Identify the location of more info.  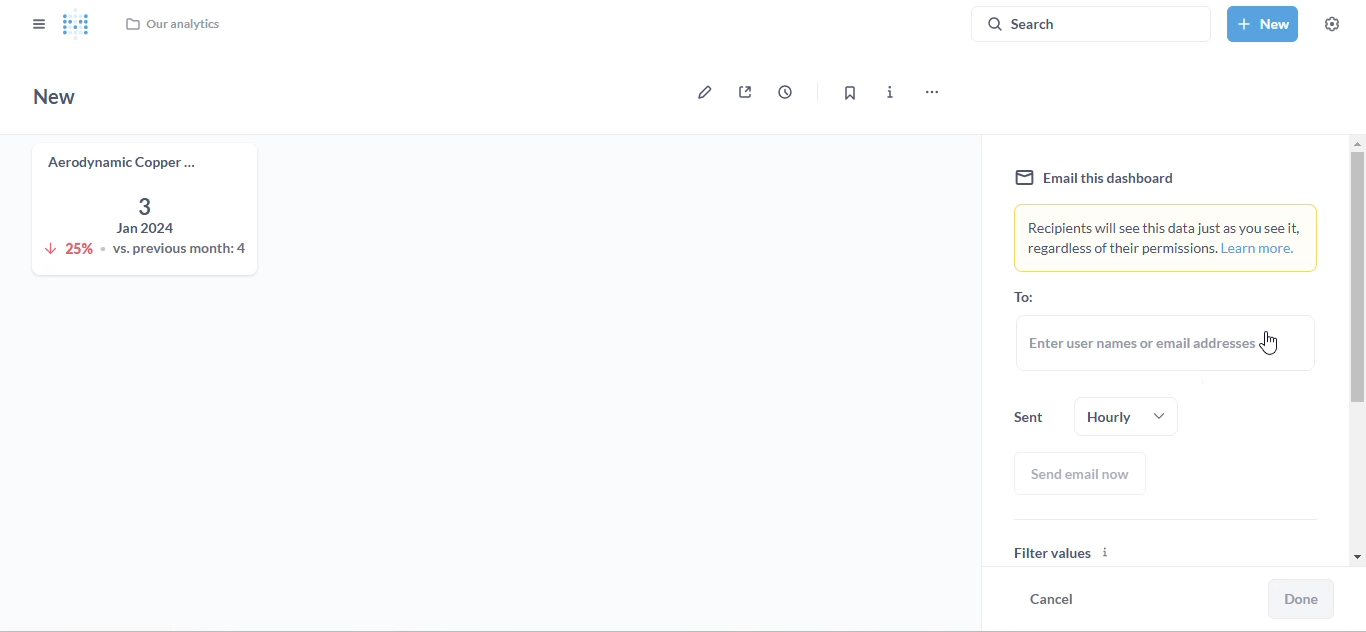
(891, 92).